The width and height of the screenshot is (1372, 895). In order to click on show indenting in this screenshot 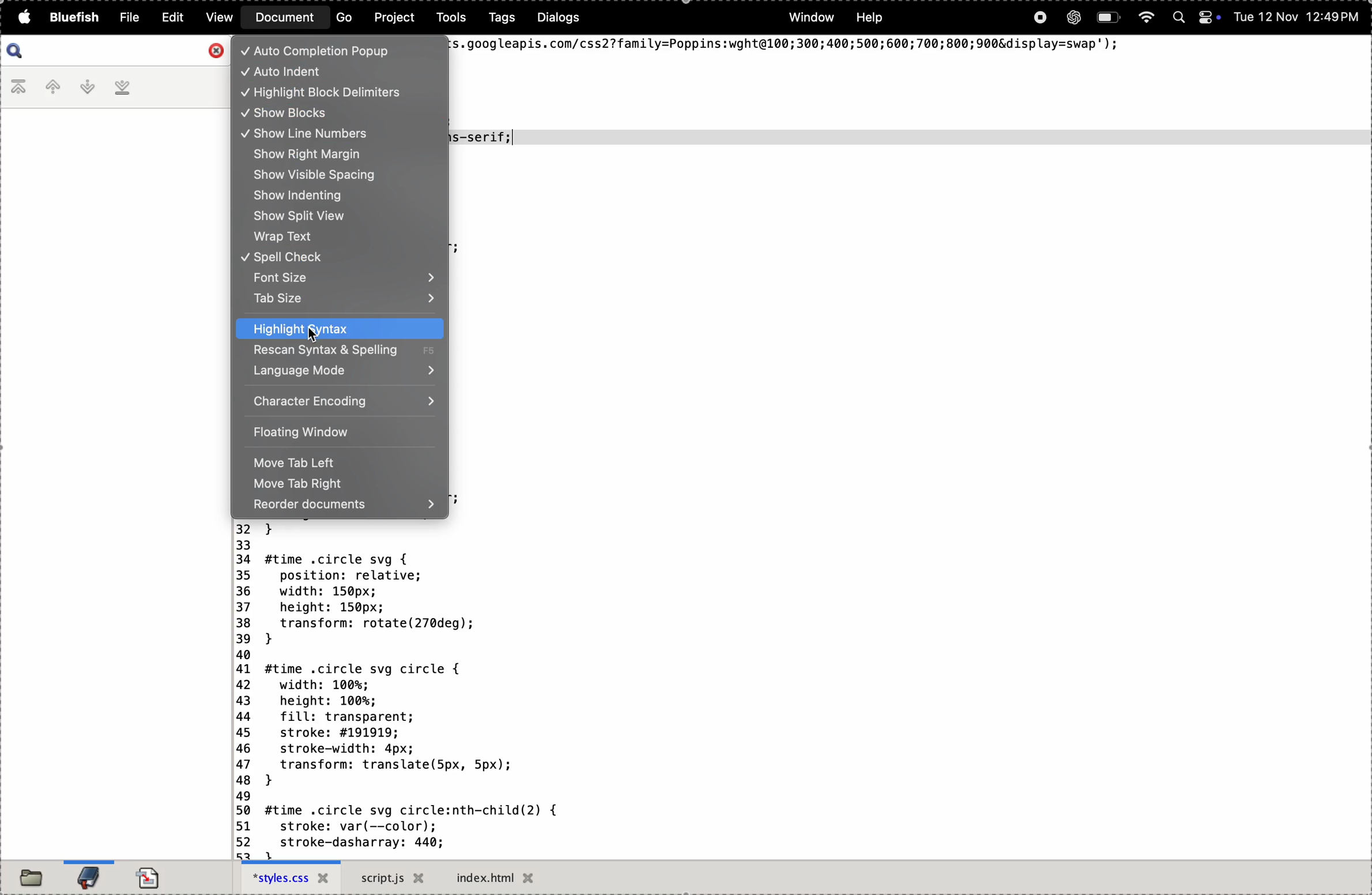, I will do `click(337, 198)`.